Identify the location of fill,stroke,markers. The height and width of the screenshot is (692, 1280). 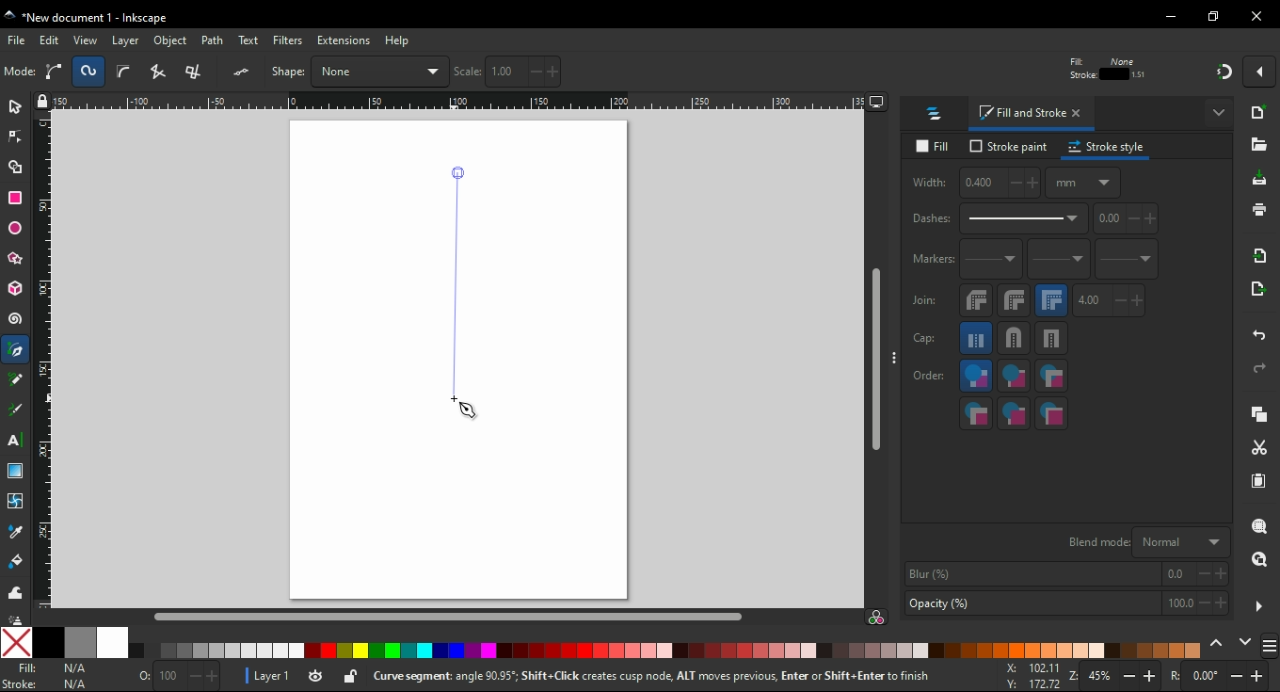
(976, 377).